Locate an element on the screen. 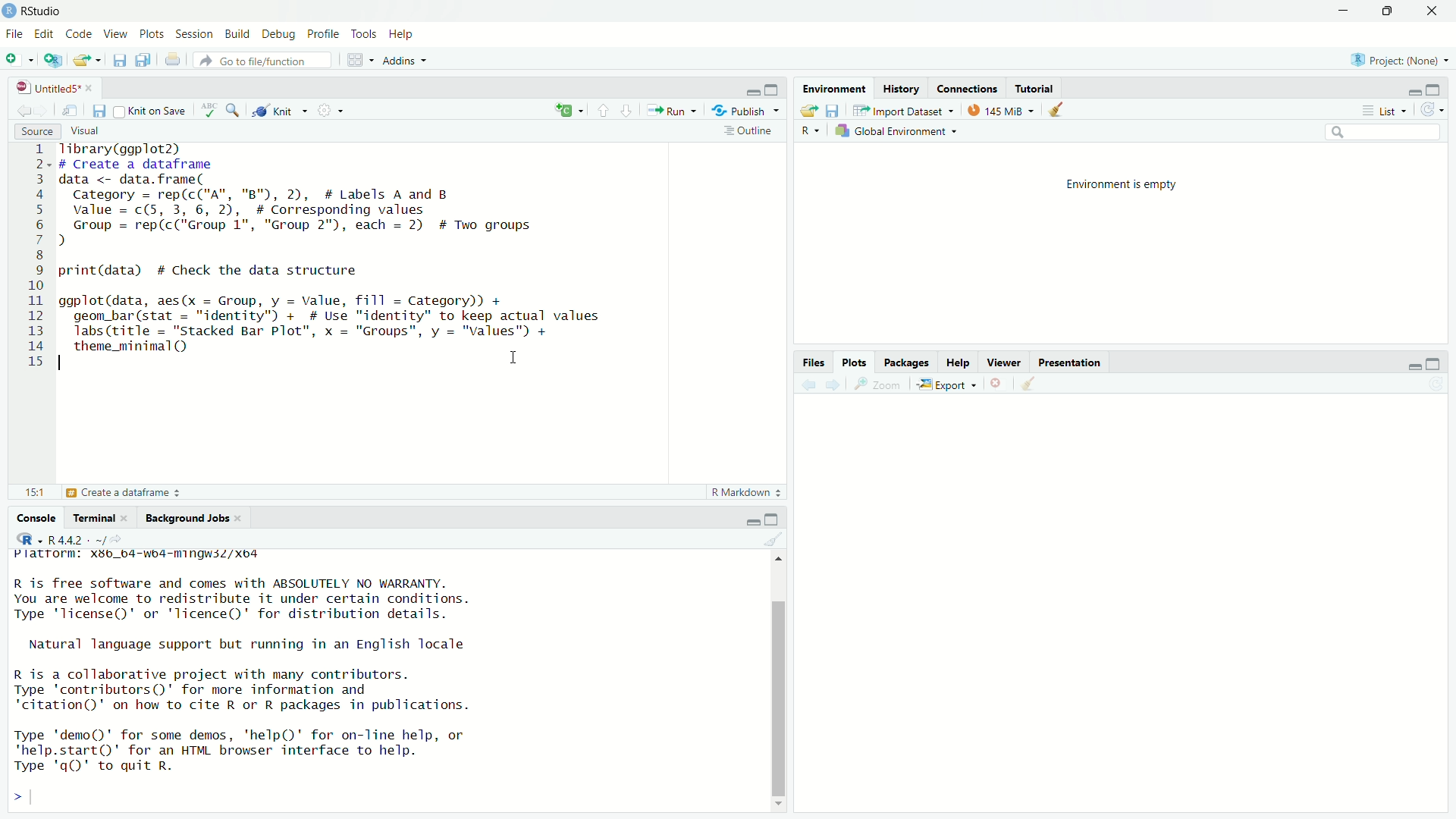 This screenshot has height=819, width=1456. Show in new window is located at coordinates (71, 109).